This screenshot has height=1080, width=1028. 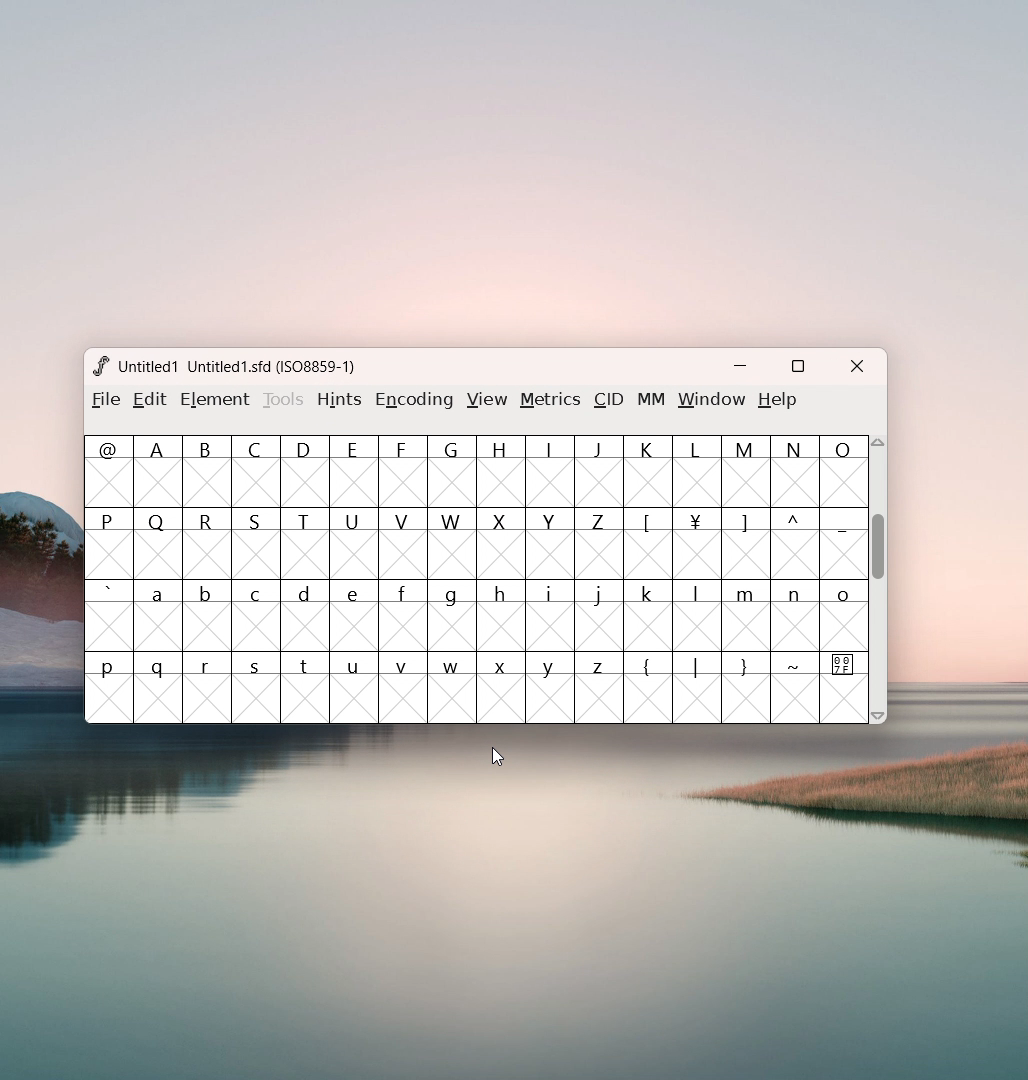 I want to click on n, so click(x=796, y=616).